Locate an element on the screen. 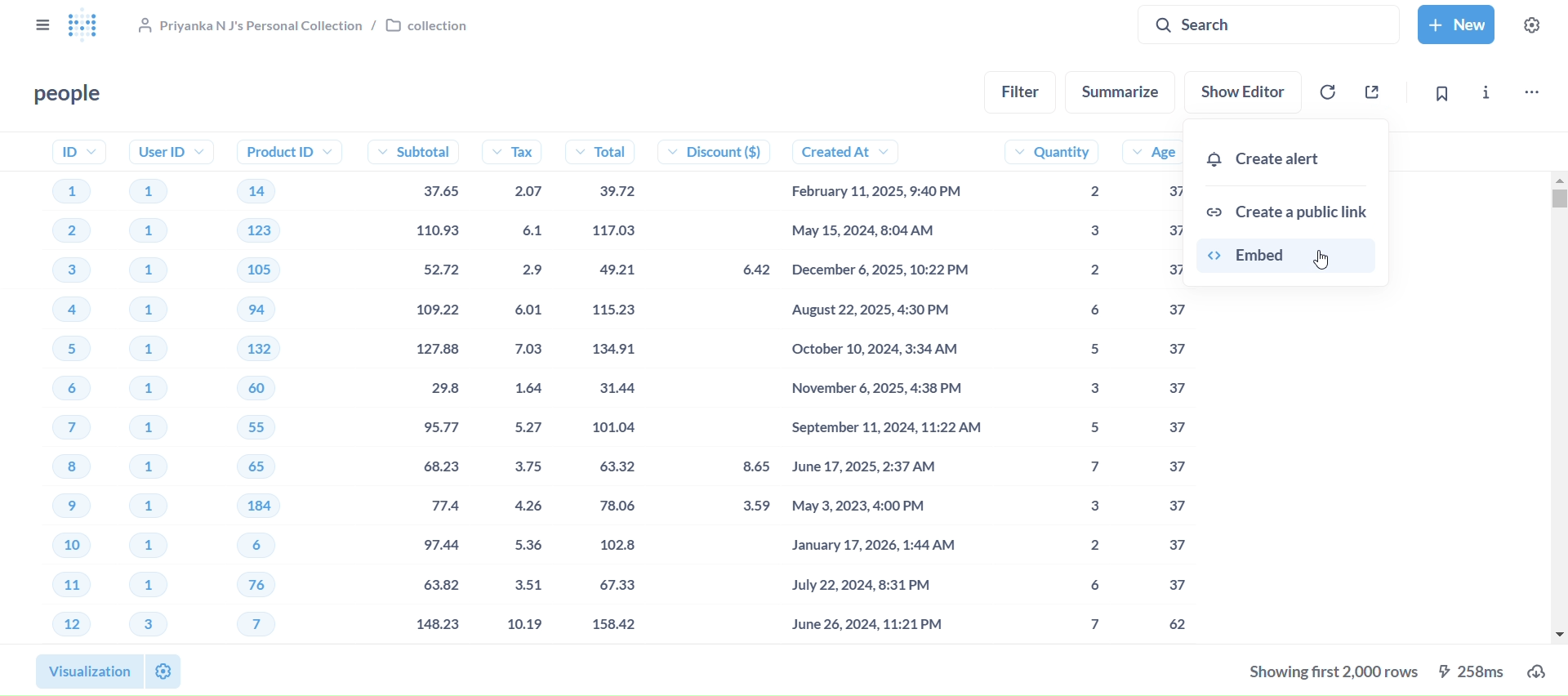 The height and width of the screenshot is (696, 1568). showing first 2000 rows is located at coordinates (1330, 675).